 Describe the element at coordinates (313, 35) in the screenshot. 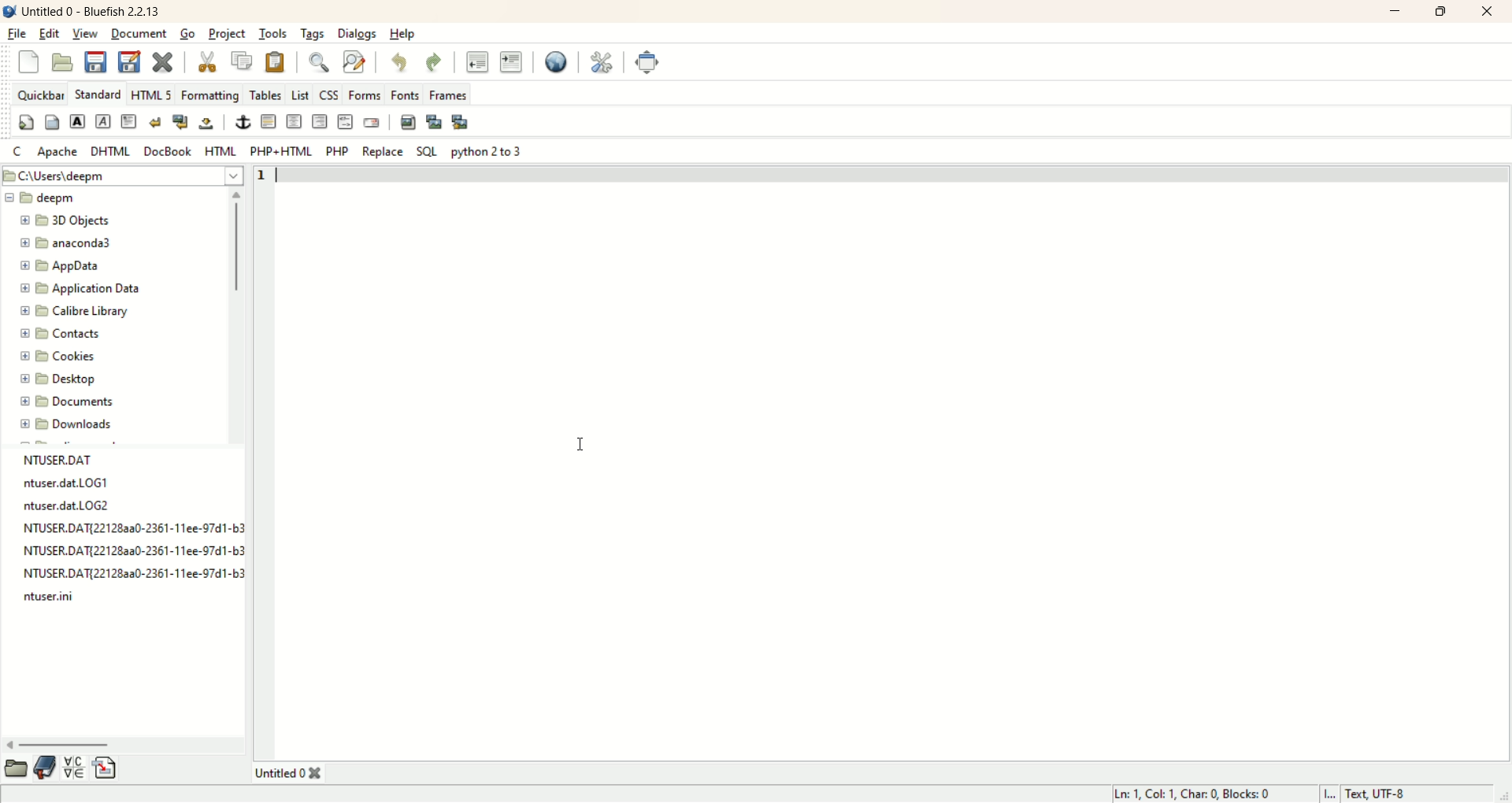

I see `tags` at that location.